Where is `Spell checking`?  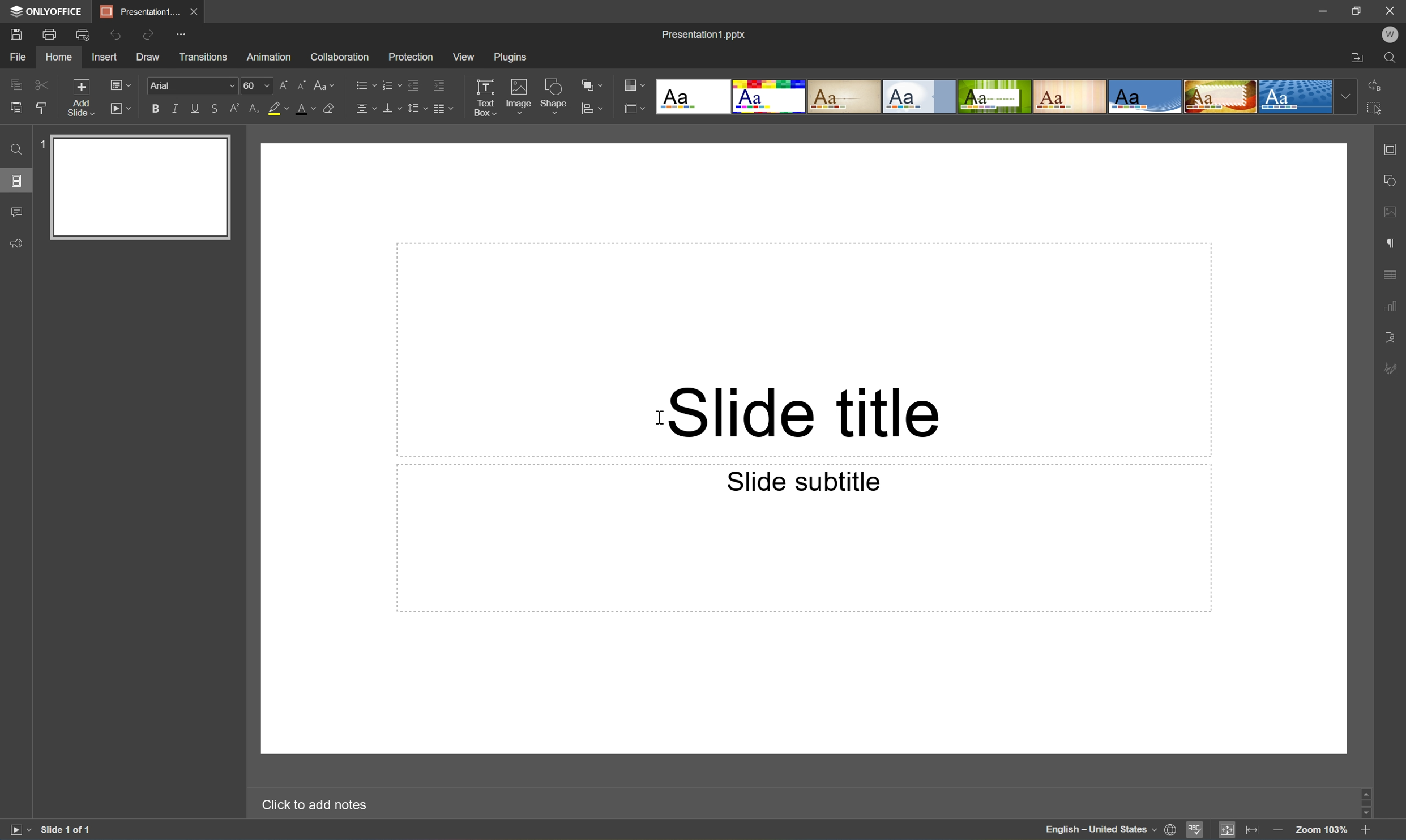 Spell checking is located at coordinates (1198, 830).